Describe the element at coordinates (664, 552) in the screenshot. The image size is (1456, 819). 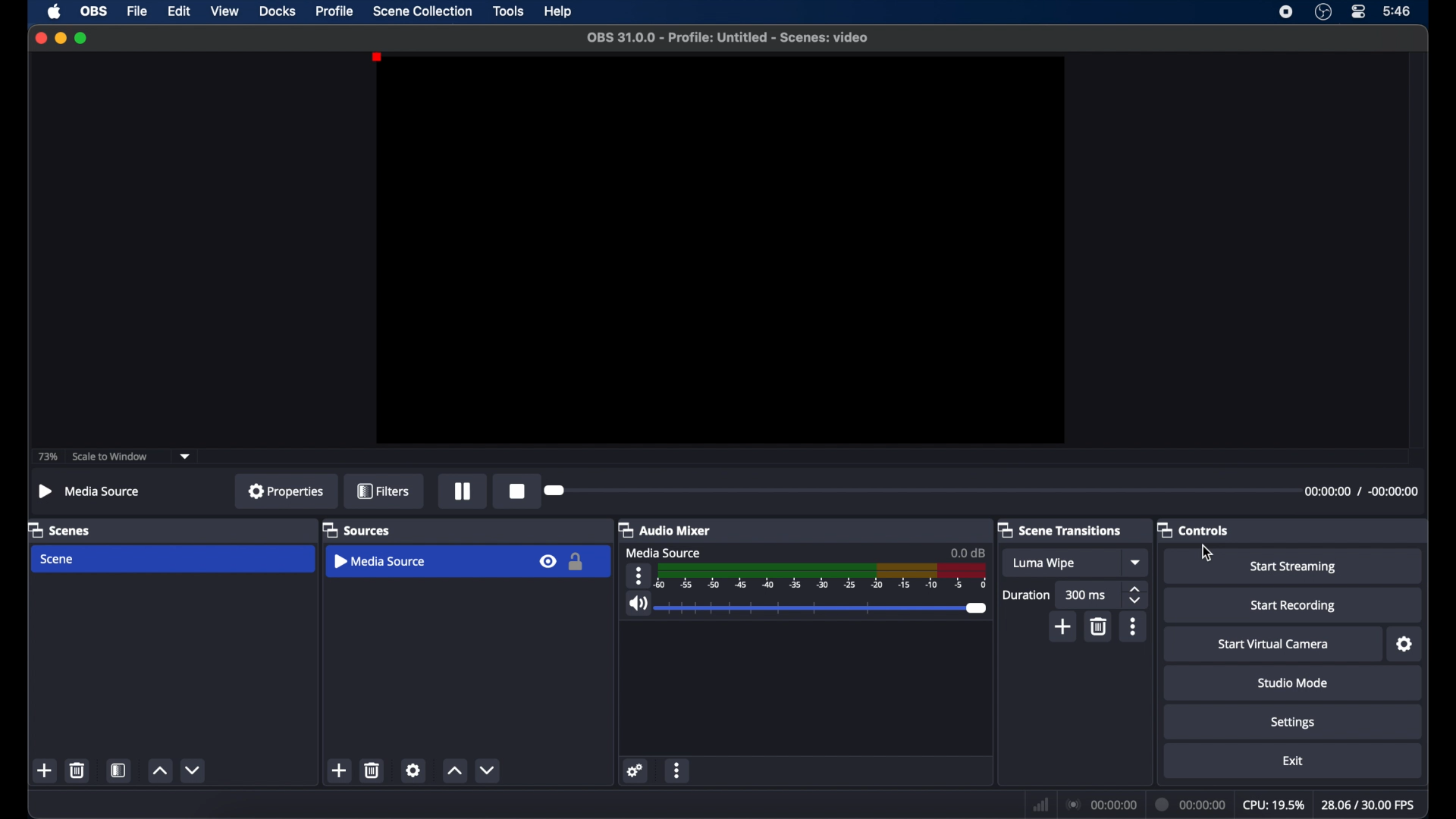
I see `media source` at that location.